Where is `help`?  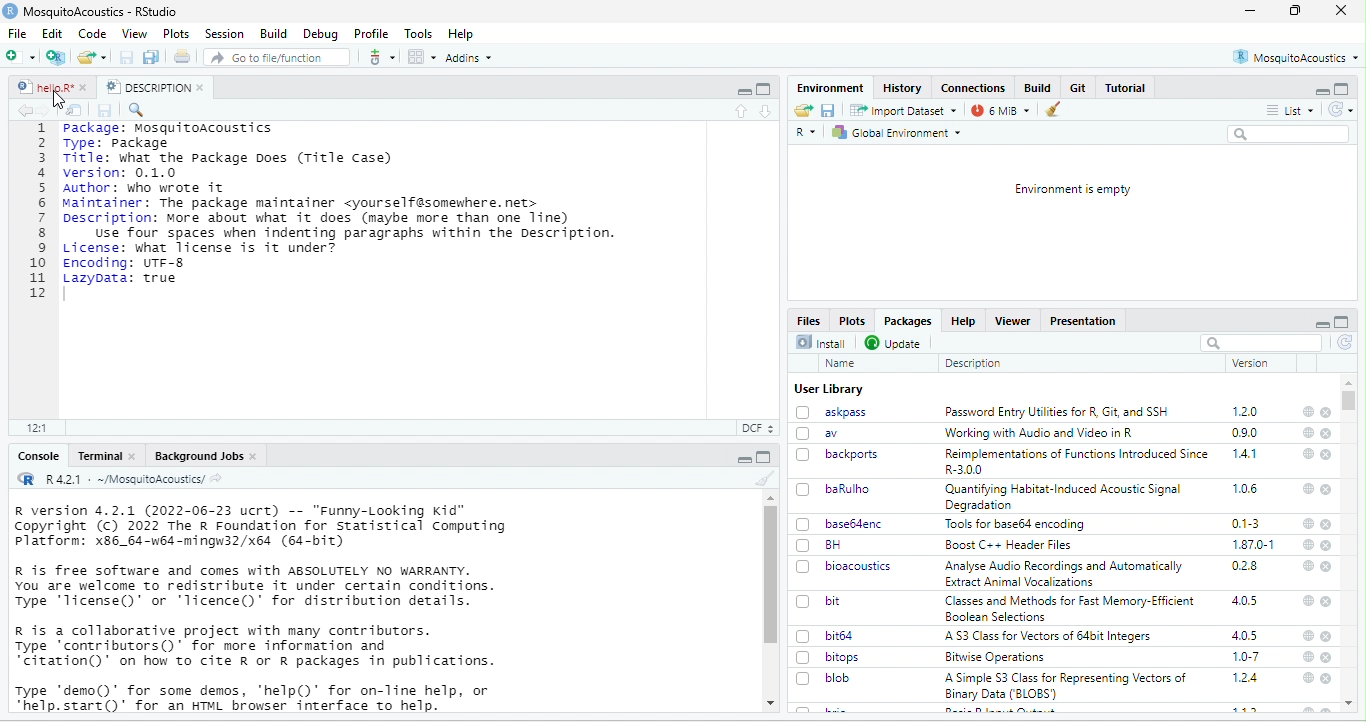 help is located at coordinates (1307, 601).